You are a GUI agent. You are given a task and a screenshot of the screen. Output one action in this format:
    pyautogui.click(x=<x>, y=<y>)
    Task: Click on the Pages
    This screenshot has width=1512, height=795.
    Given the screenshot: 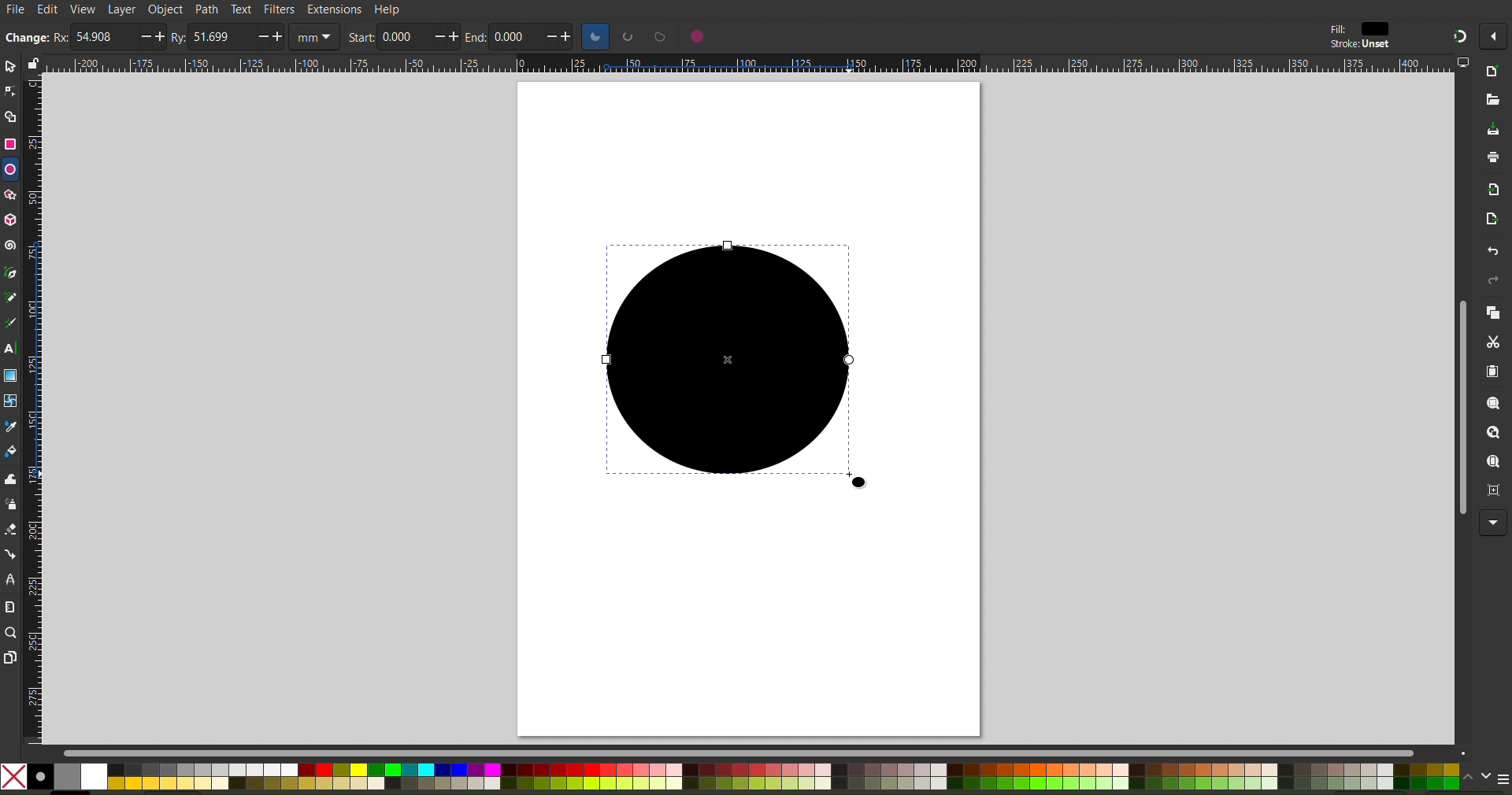 What is the action you would take?
    pyautogui.click(x=10, y=655)
    